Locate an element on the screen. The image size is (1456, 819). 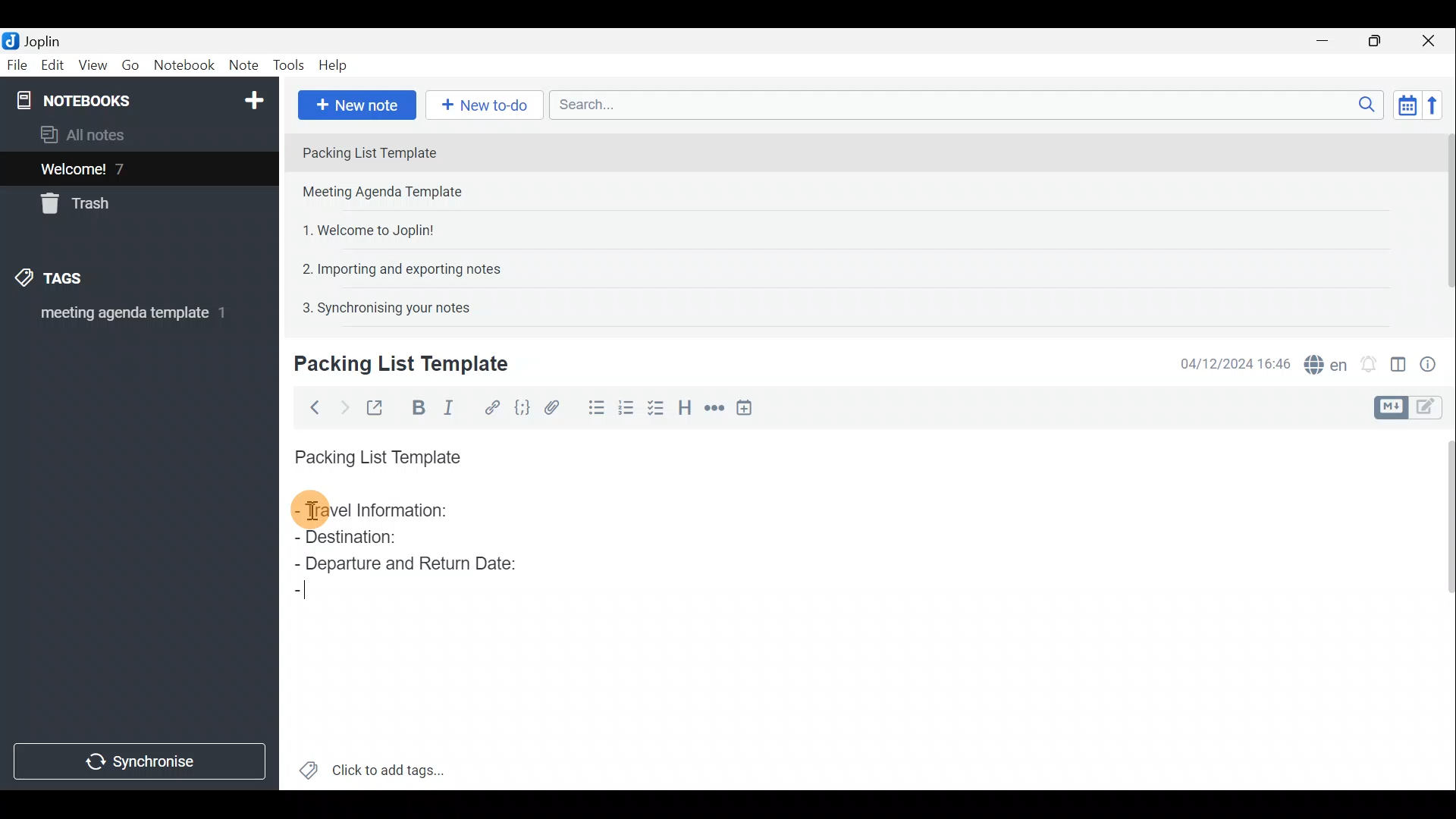
Trash is located at coordinates (81, 206).